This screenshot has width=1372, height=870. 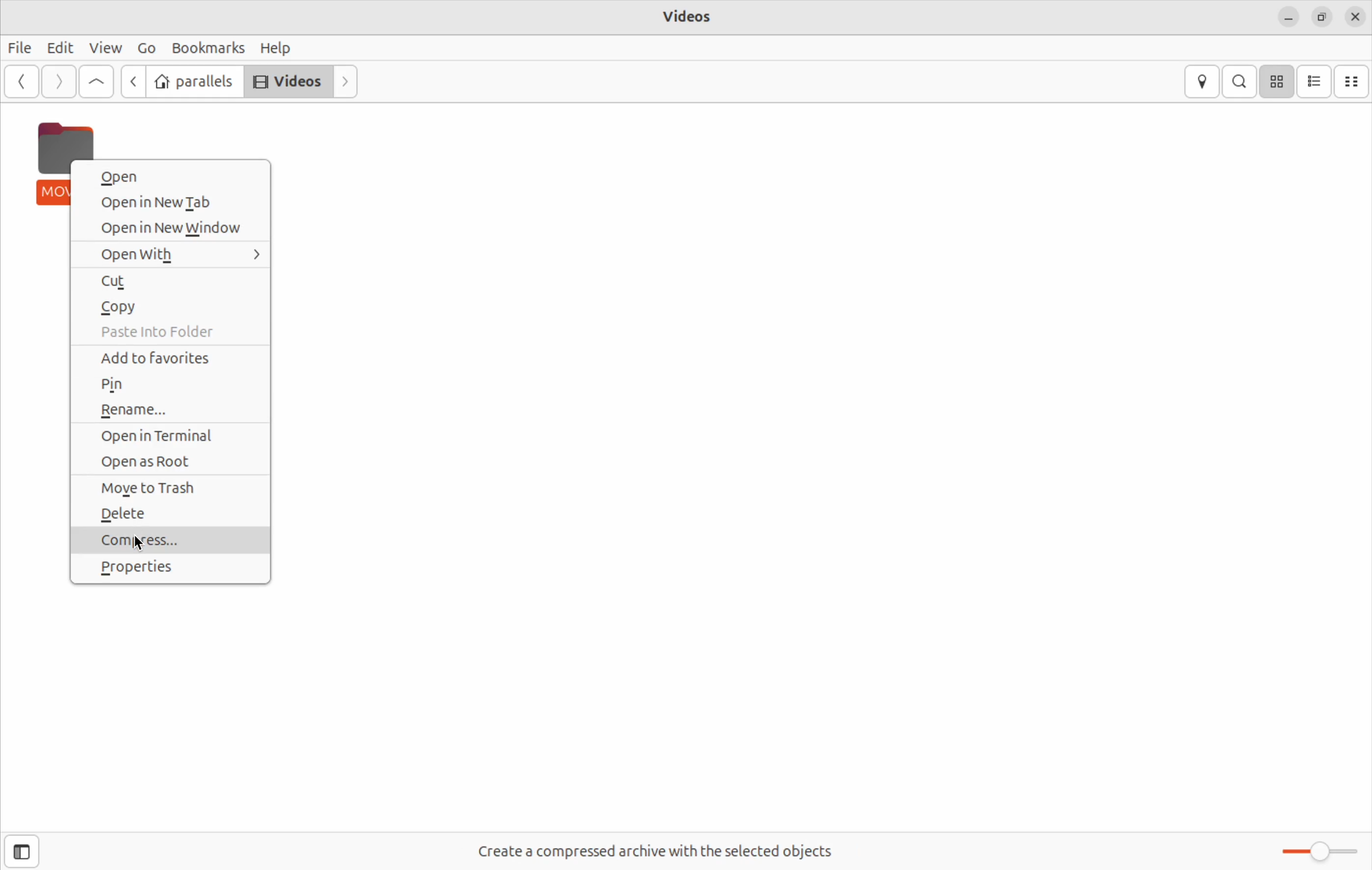 What do you see at coordinates (347, 80) in the screenshot?
I see `next` at bounding box center [347, 80].